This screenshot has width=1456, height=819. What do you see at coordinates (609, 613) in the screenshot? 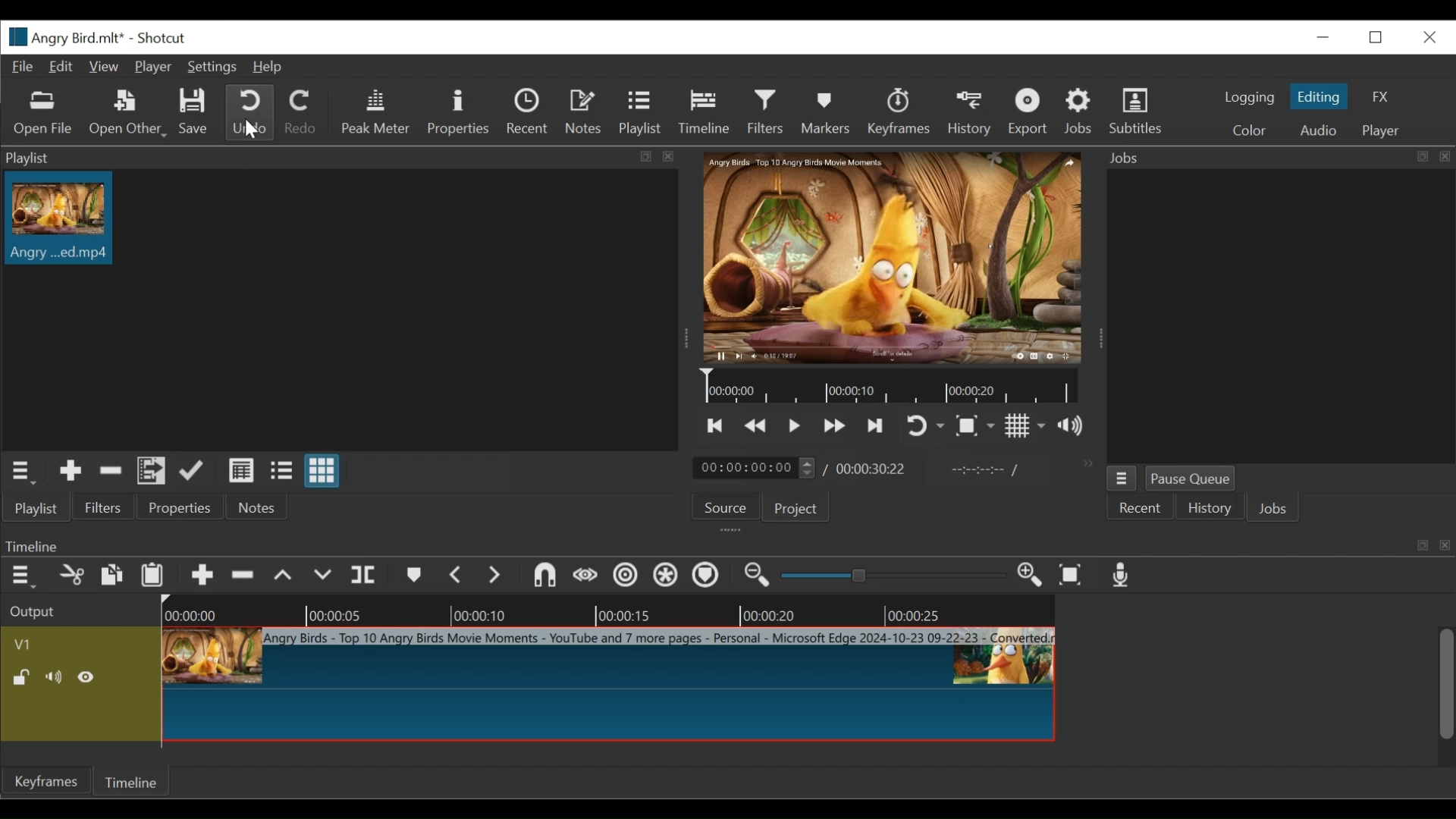
I see `Timeline` at bounding box center [609, 613].